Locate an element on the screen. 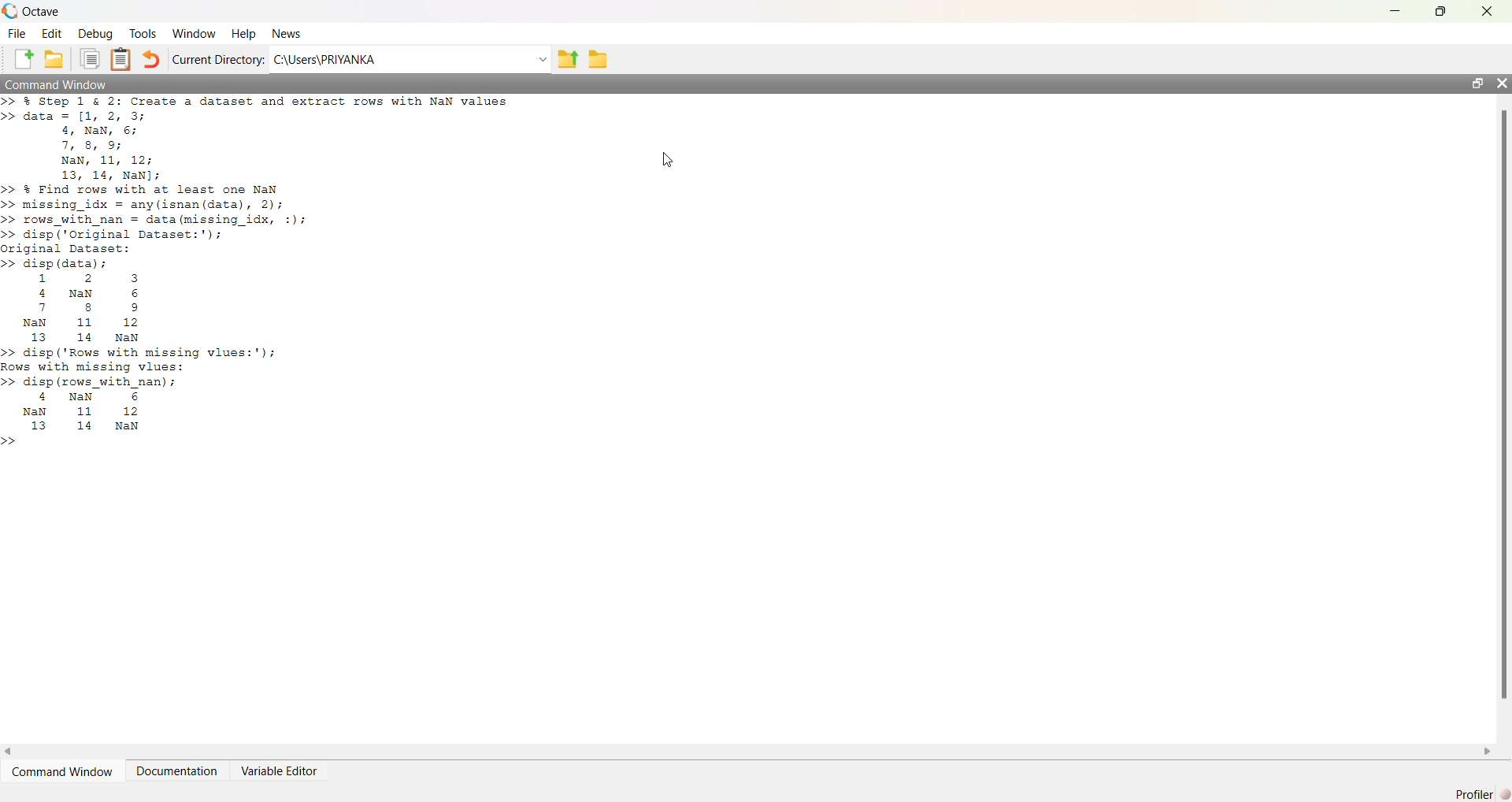 This screenshot has height=802, width=1512. News is located at coordinates (288, 33).